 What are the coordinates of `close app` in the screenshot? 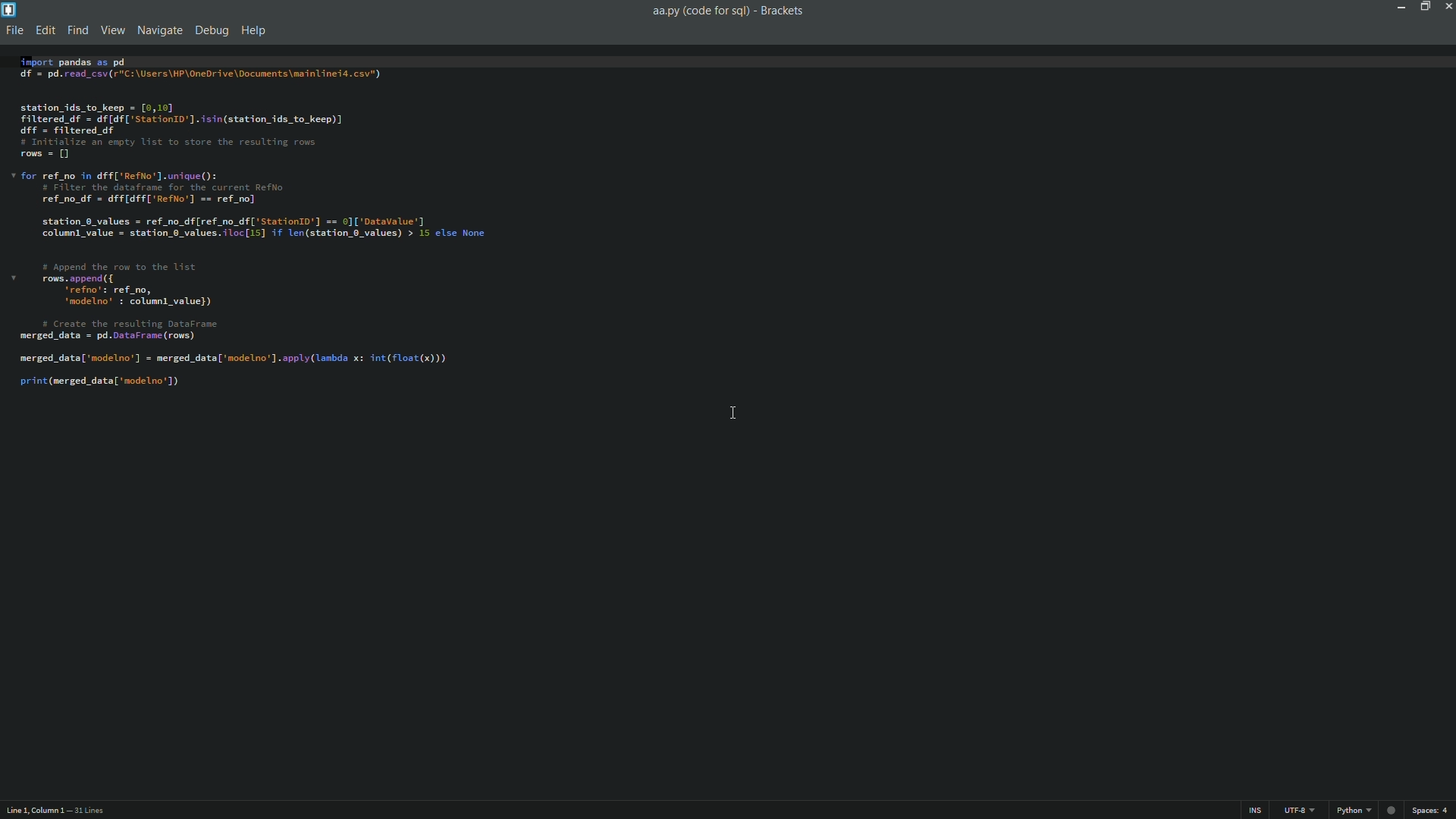 It's located at (1447, 8).